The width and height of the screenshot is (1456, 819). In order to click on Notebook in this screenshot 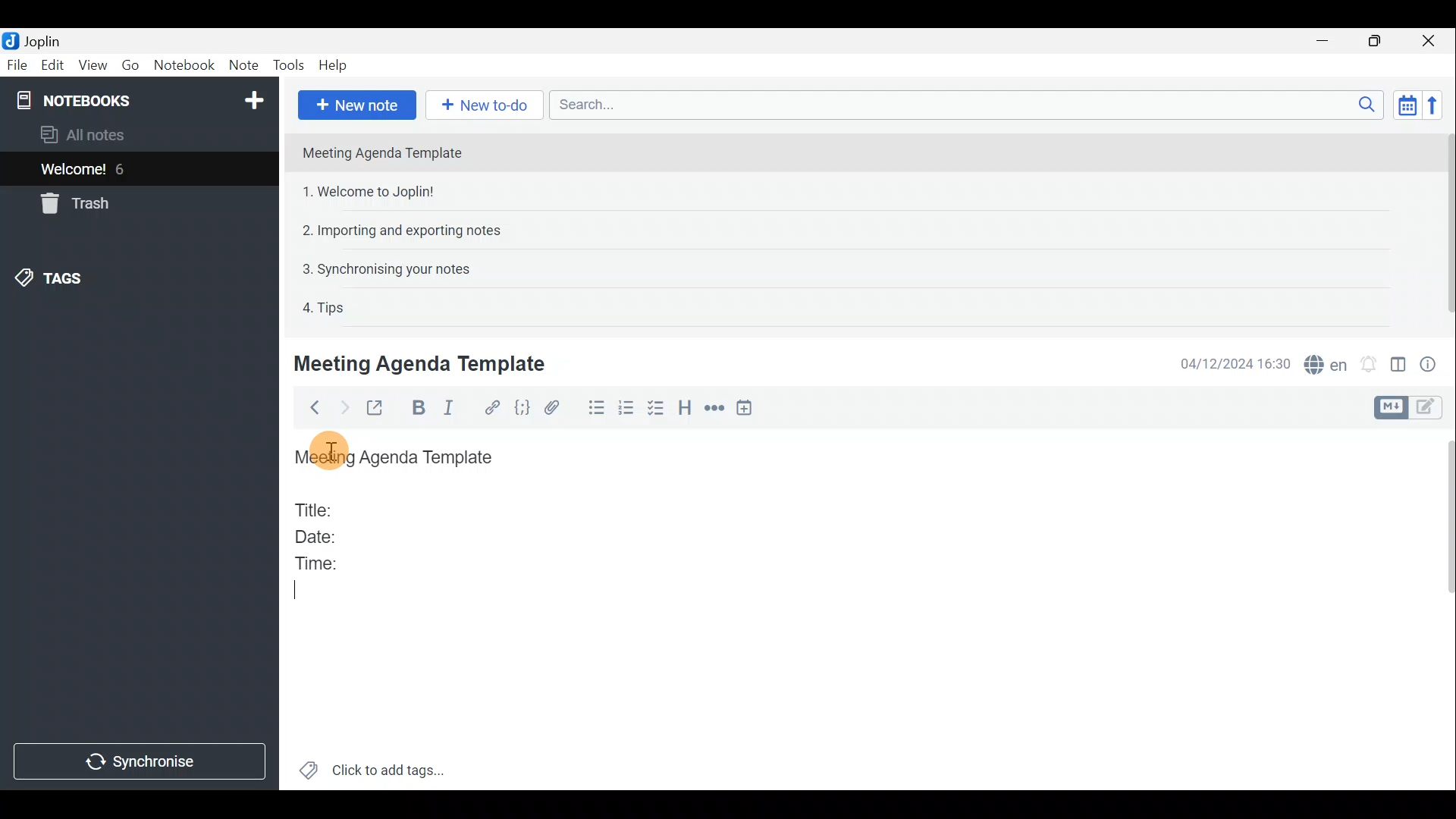, I will do `click(184, 64)`.